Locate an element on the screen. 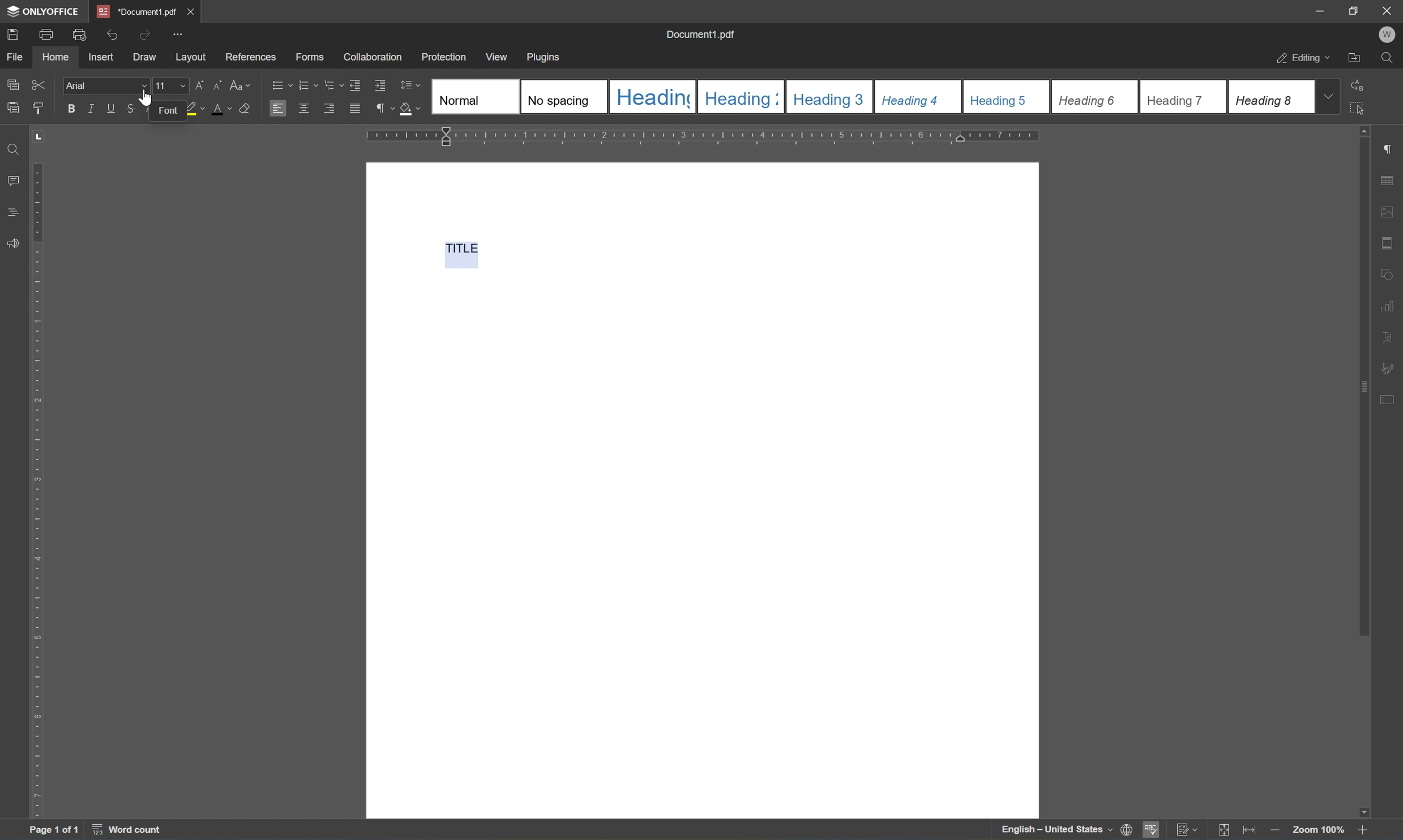 The width and height of the screenshot is (1403, 840). Align center is located at coordinates (305, 108).